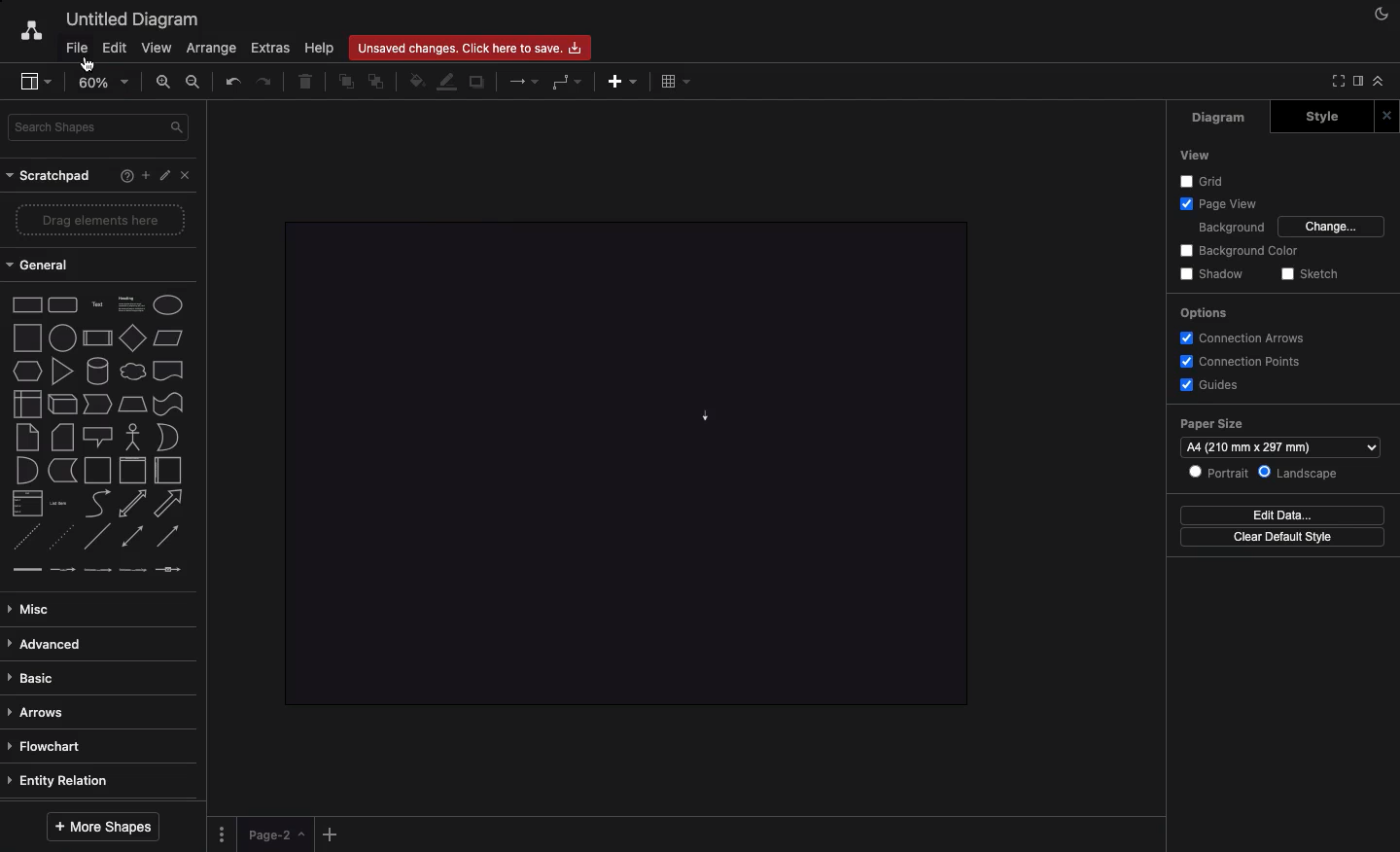  Describe the element at coordinates (164, 82) in the screenshot. I see `Zoom in` at that location.